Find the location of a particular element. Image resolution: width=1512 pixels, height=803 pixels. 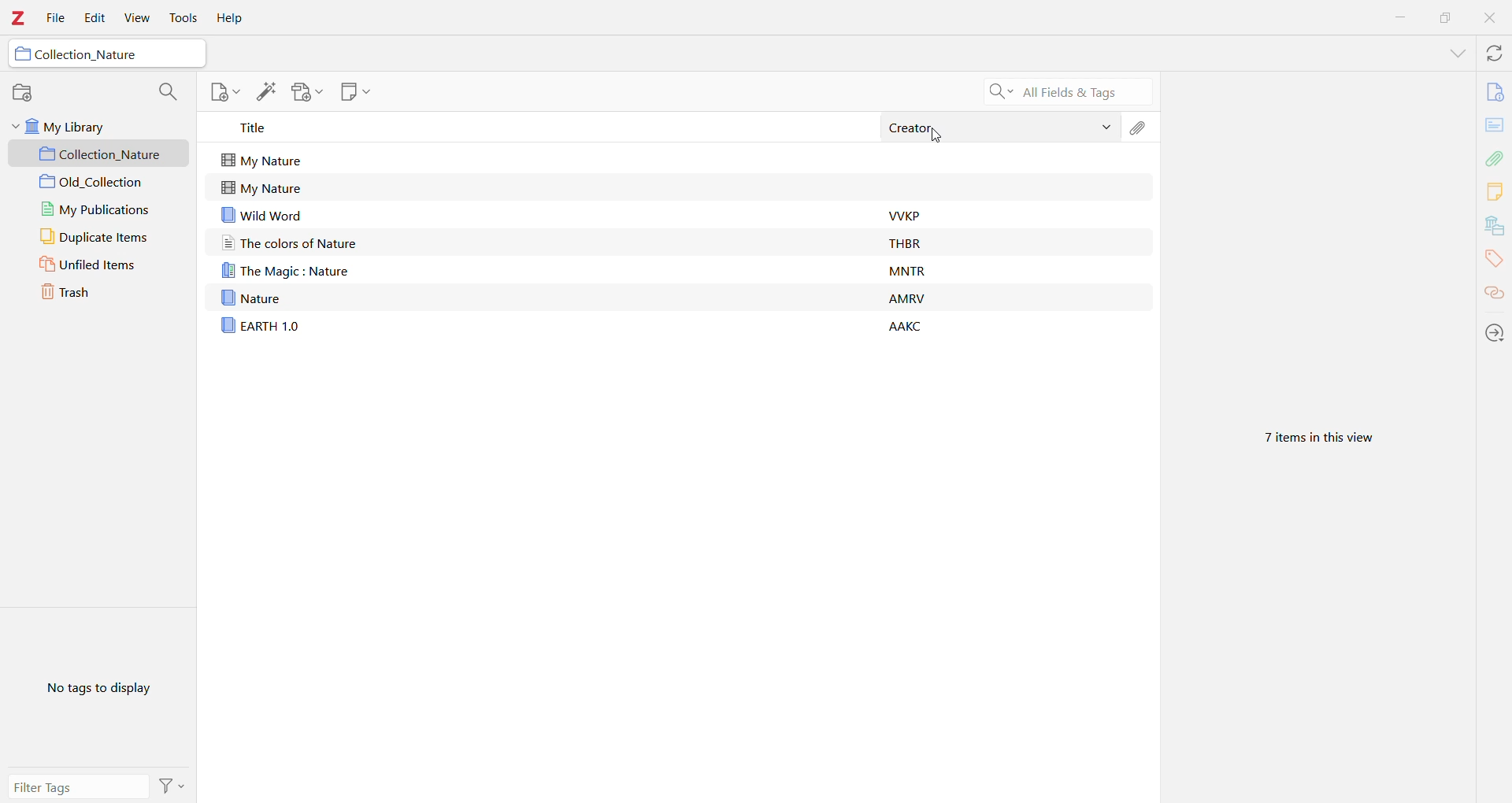

Edit is located at coordinates (94, 17).